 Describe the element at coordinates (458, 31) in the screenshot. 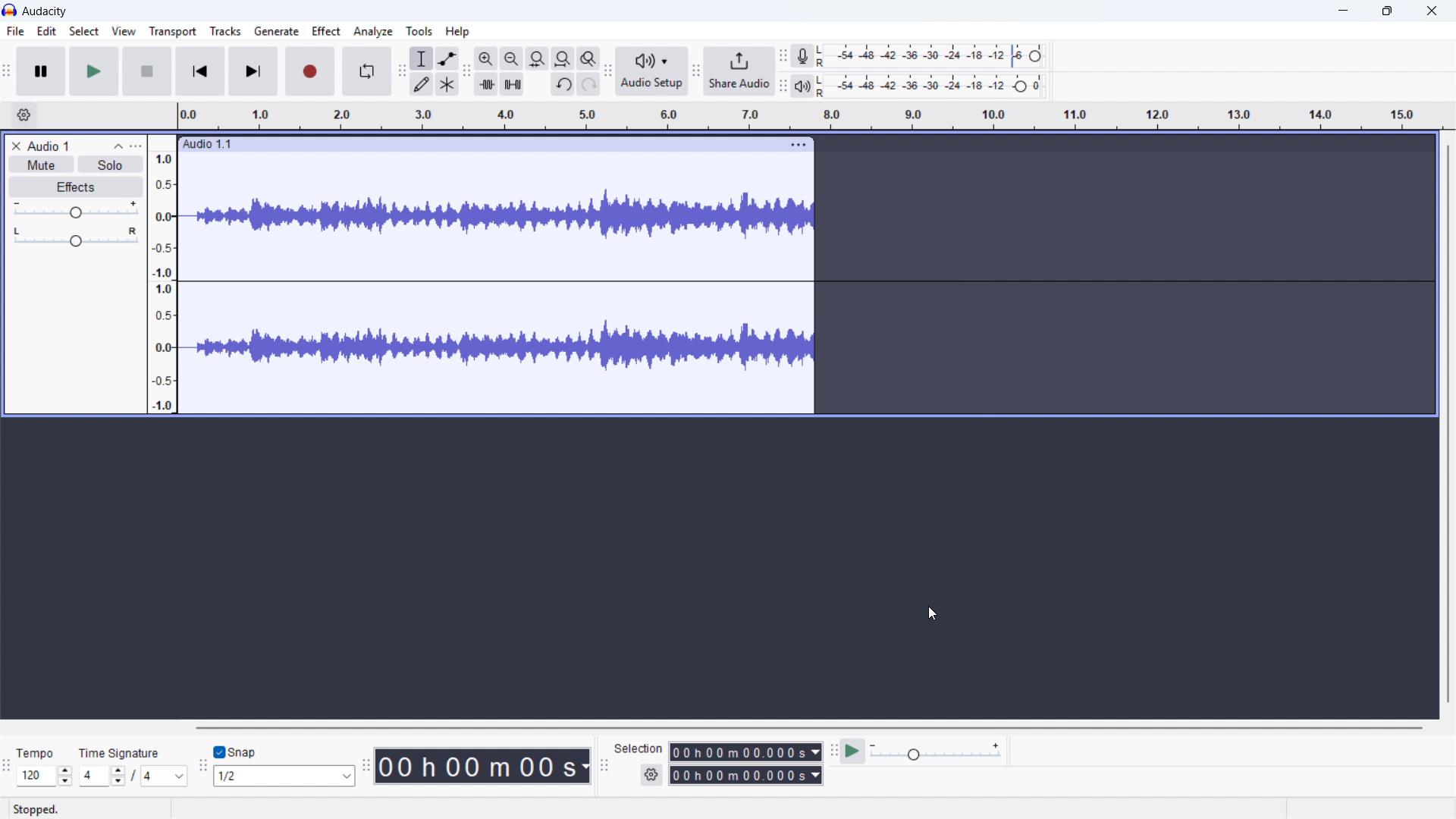

I see `help ` at that location.